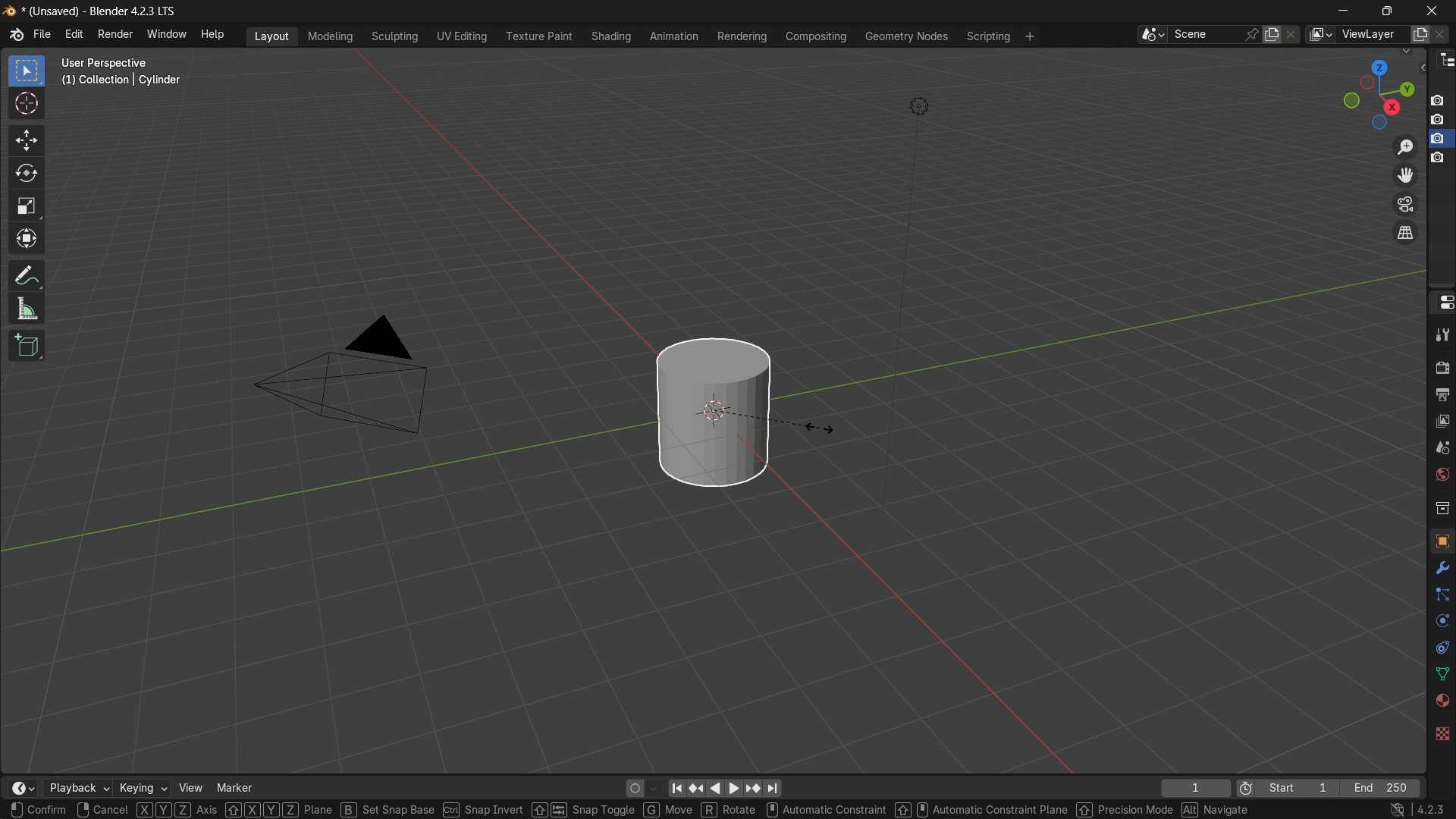 The height and width of the screenshot is (819, 1456). What do you see at coordinates (723, 788) in the screenshot?
I see `play animation` at bounding box center [723, 788].